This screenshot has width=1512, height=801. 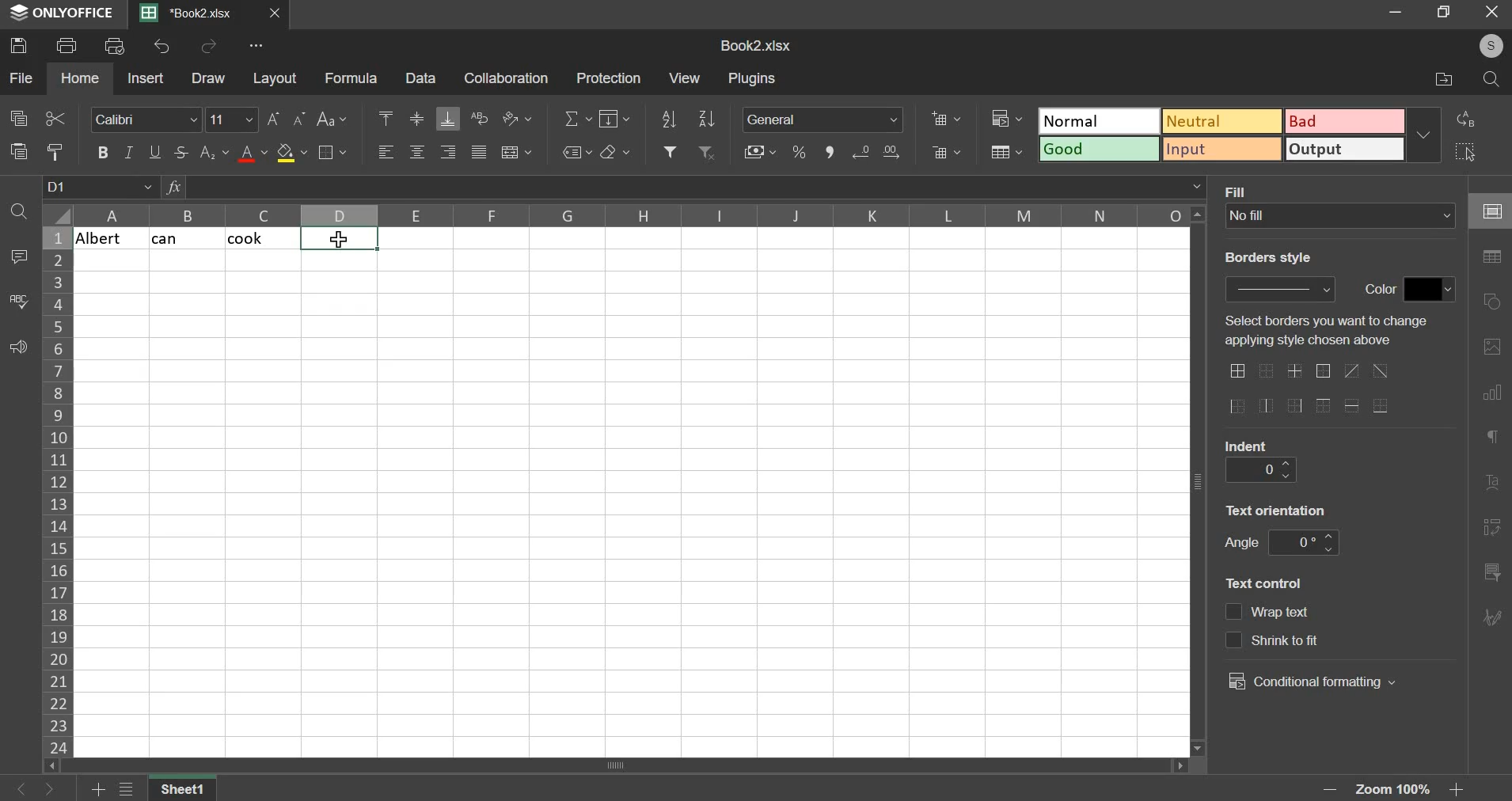 What do you see at coordinates (337, 240) in the screenshot?
I see `selected cells ` at bounding box center [337, 240].